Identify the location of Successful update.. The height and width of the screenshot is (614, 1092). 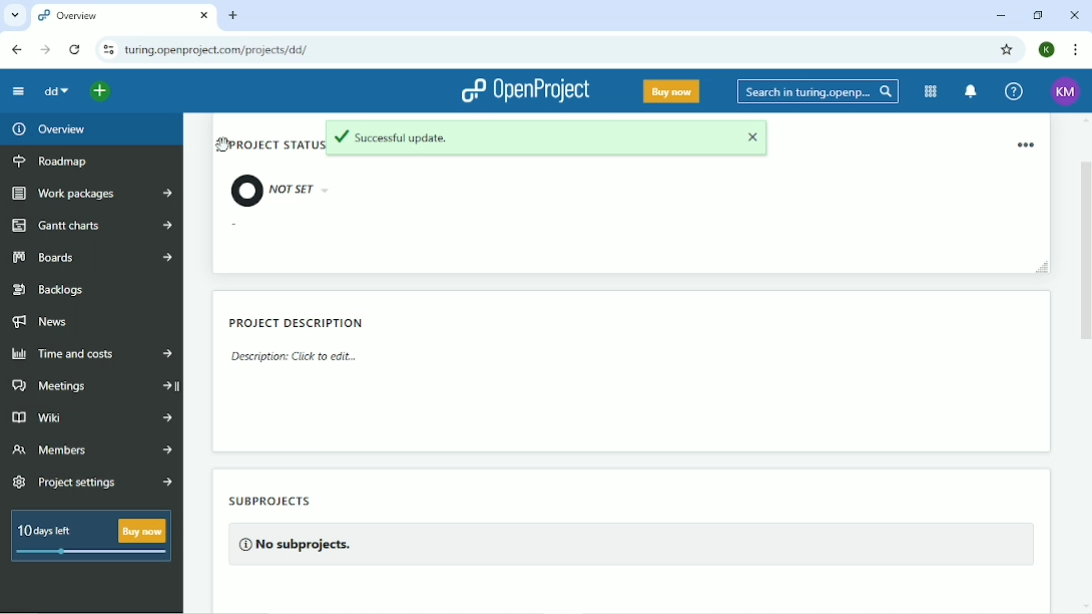
(550, 140).